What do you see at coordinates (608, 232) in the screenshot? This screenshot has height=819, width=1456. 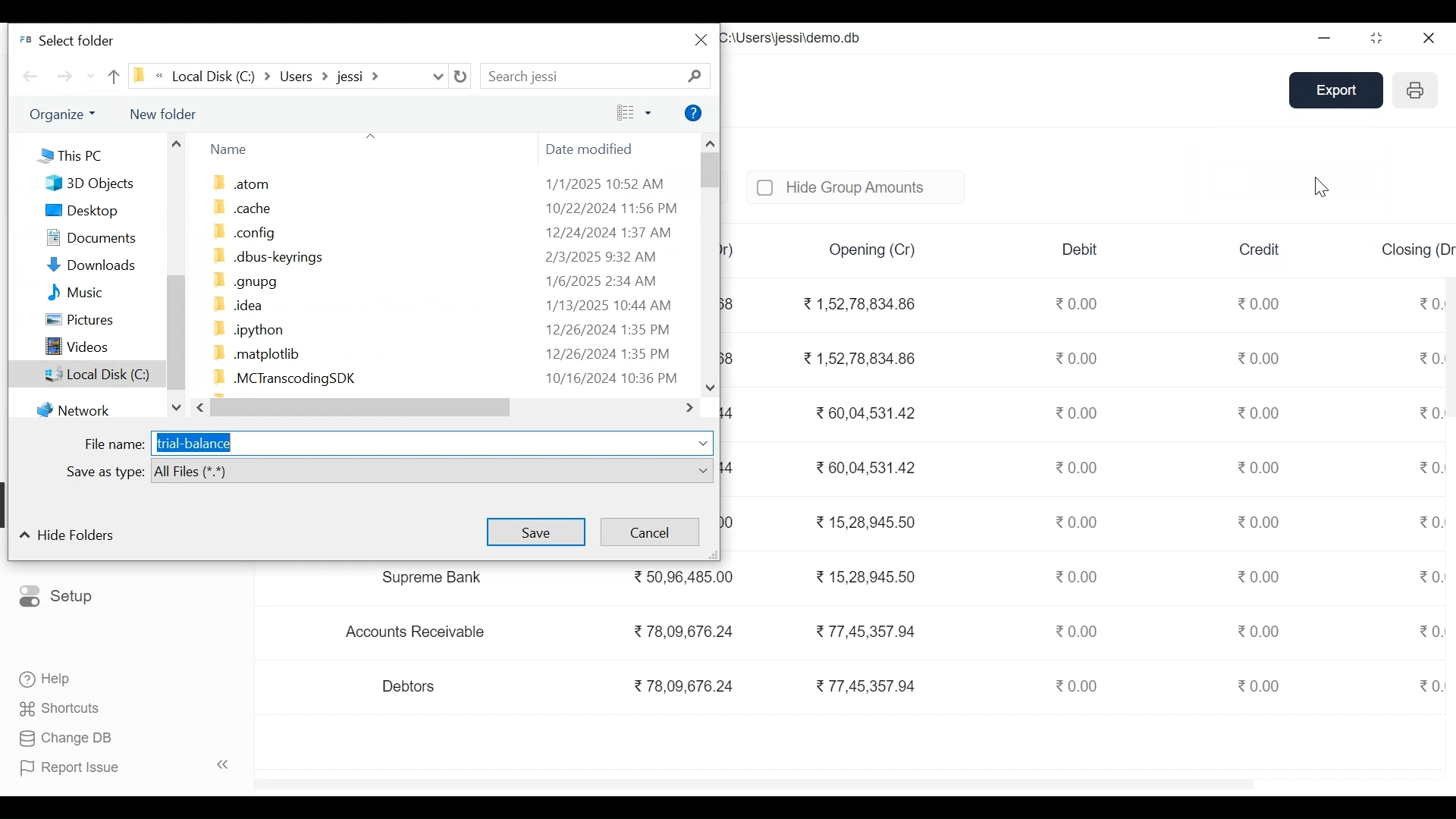 I see `12/24/2024 1:37 AM` at bounding box center [608, 232].